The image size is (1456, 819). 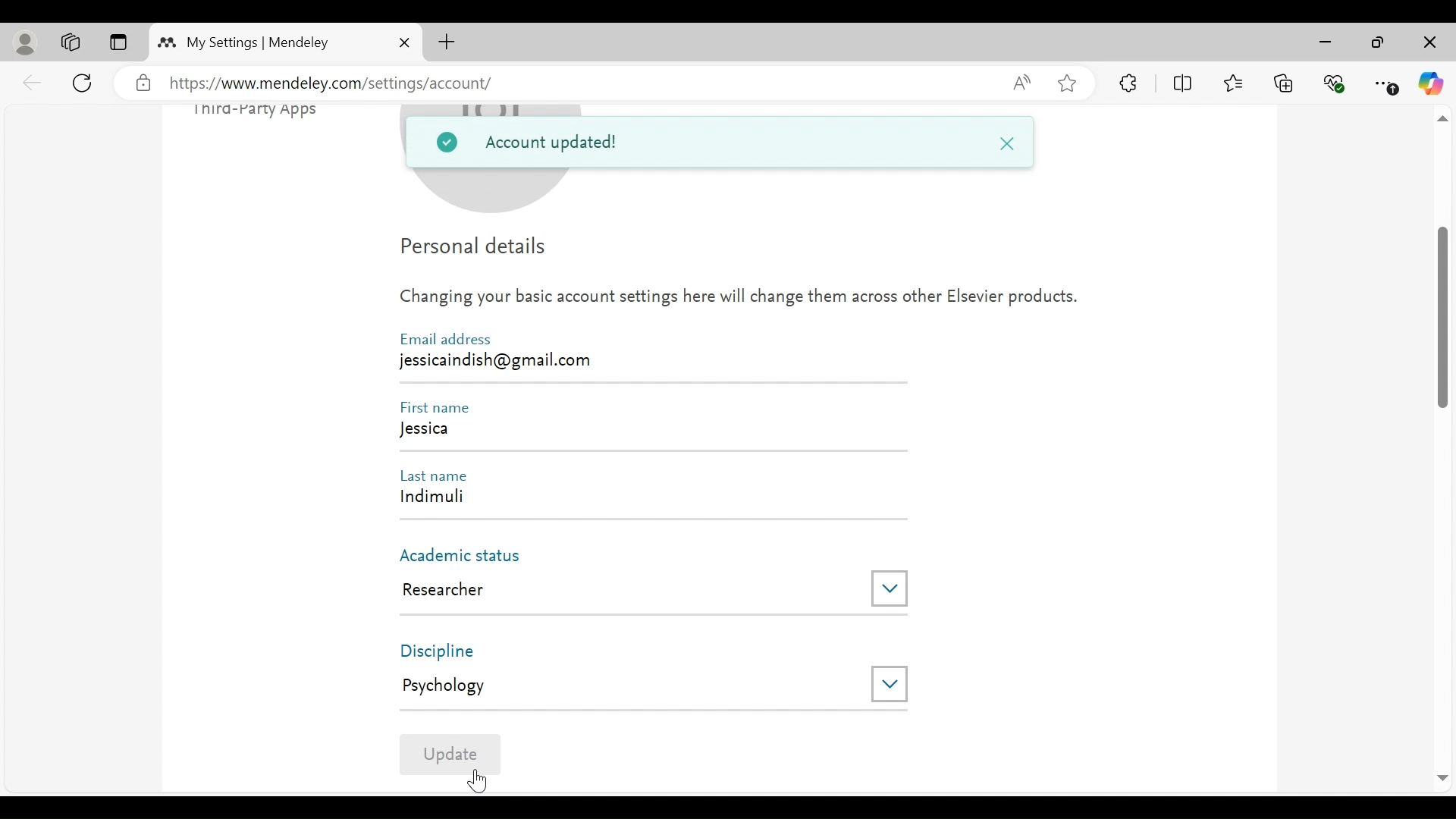 What do you see at coordinates (448, 755) in the screenshot?
I see `Update` at bounding box center [448, 755].